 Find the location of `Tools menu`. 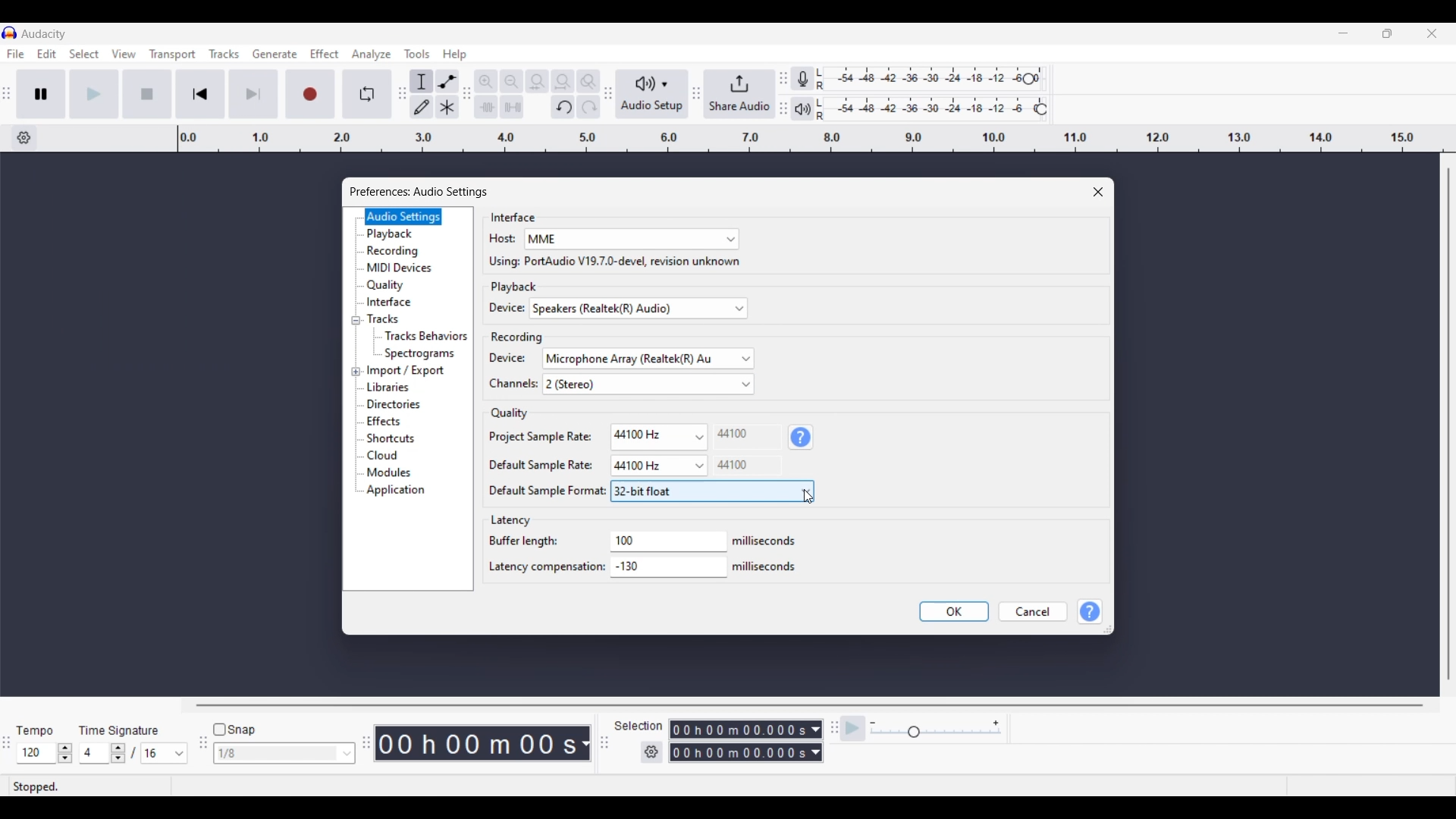

Tools menu is located at coordinates (417, 54).